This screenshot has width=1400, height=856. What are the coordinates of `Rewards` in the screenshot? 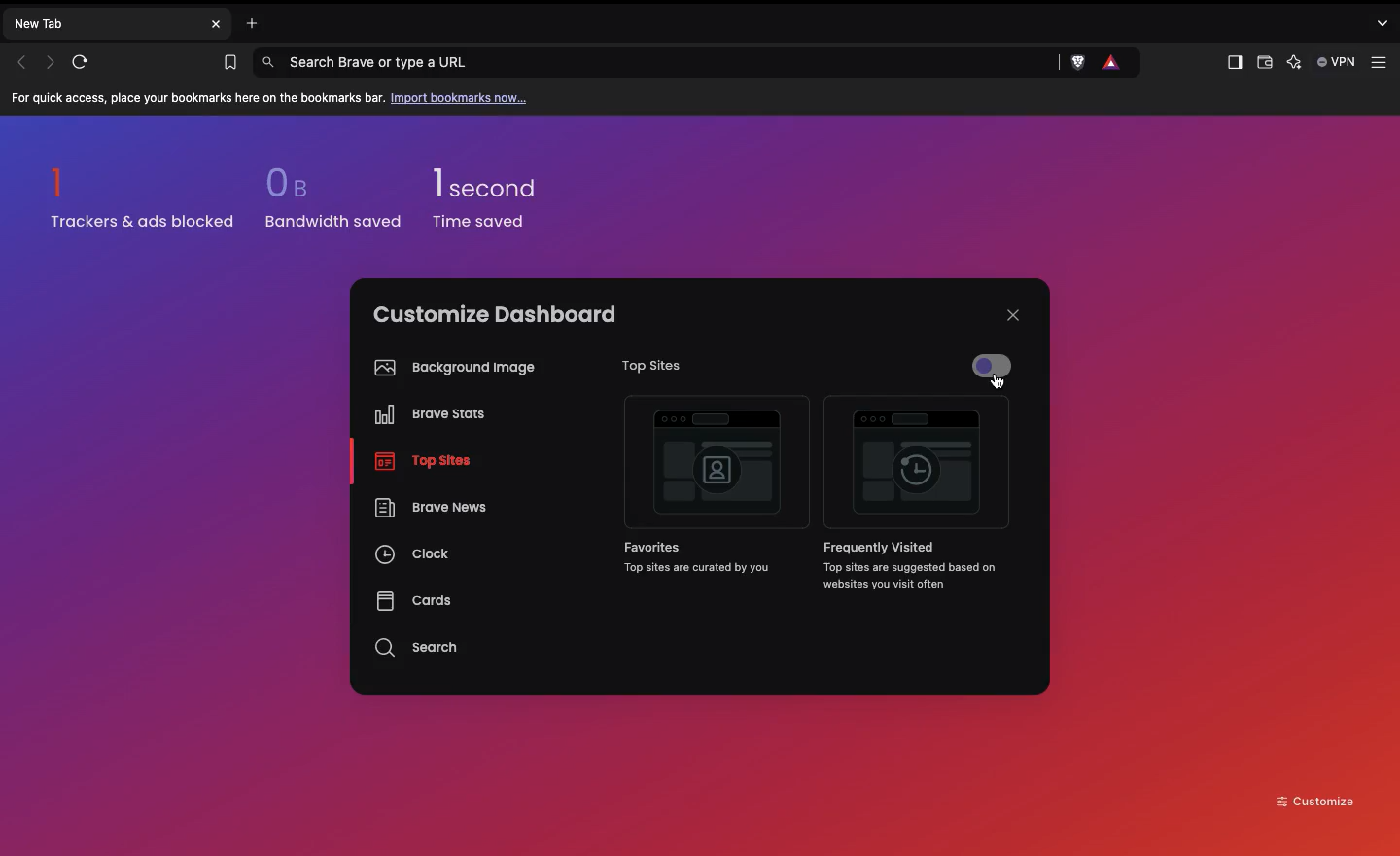 It's located at (1113, 63).